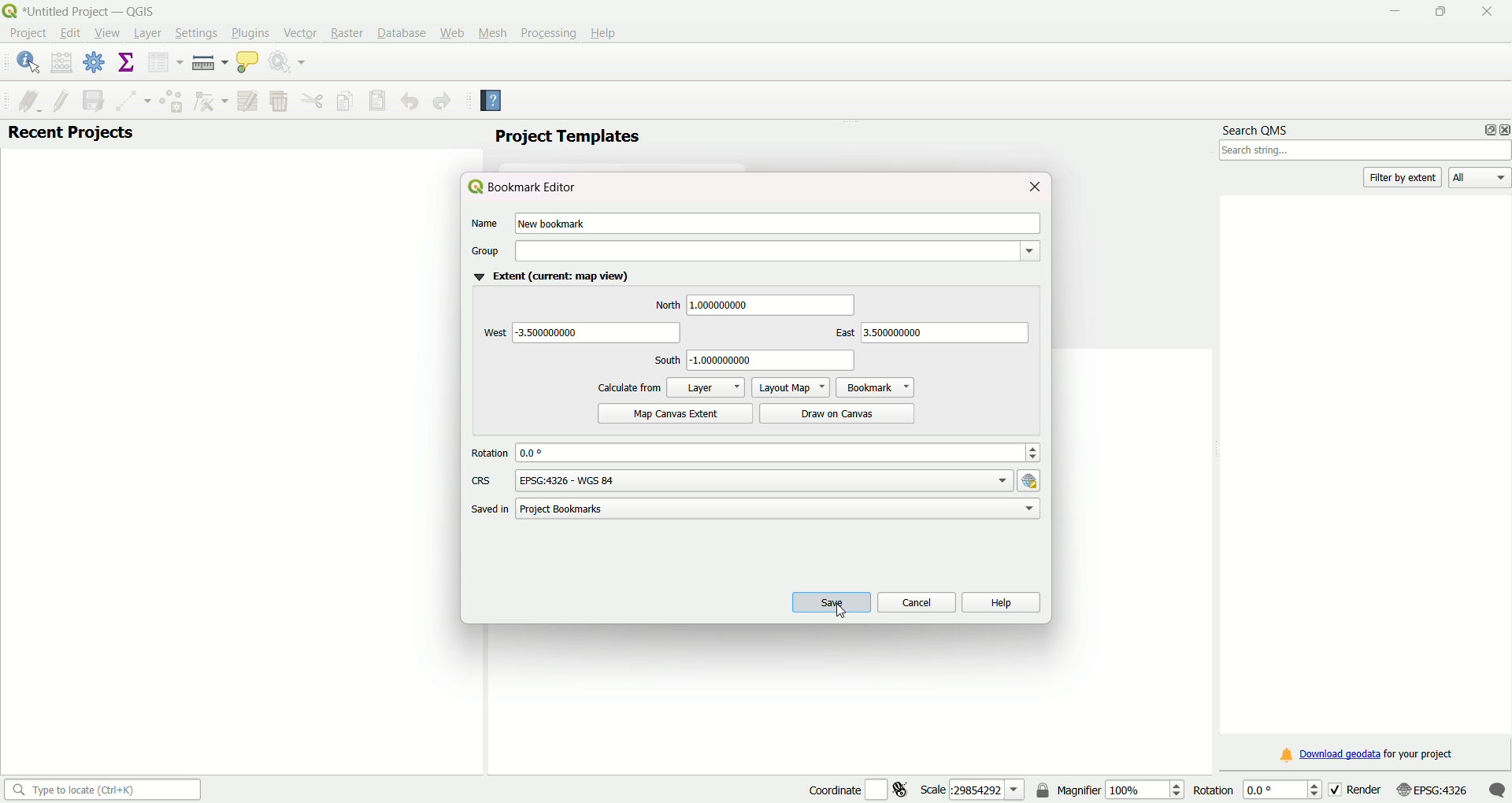  Describe the element at coordinates (1001, 601) in the screenshot. I see `help` at that location.